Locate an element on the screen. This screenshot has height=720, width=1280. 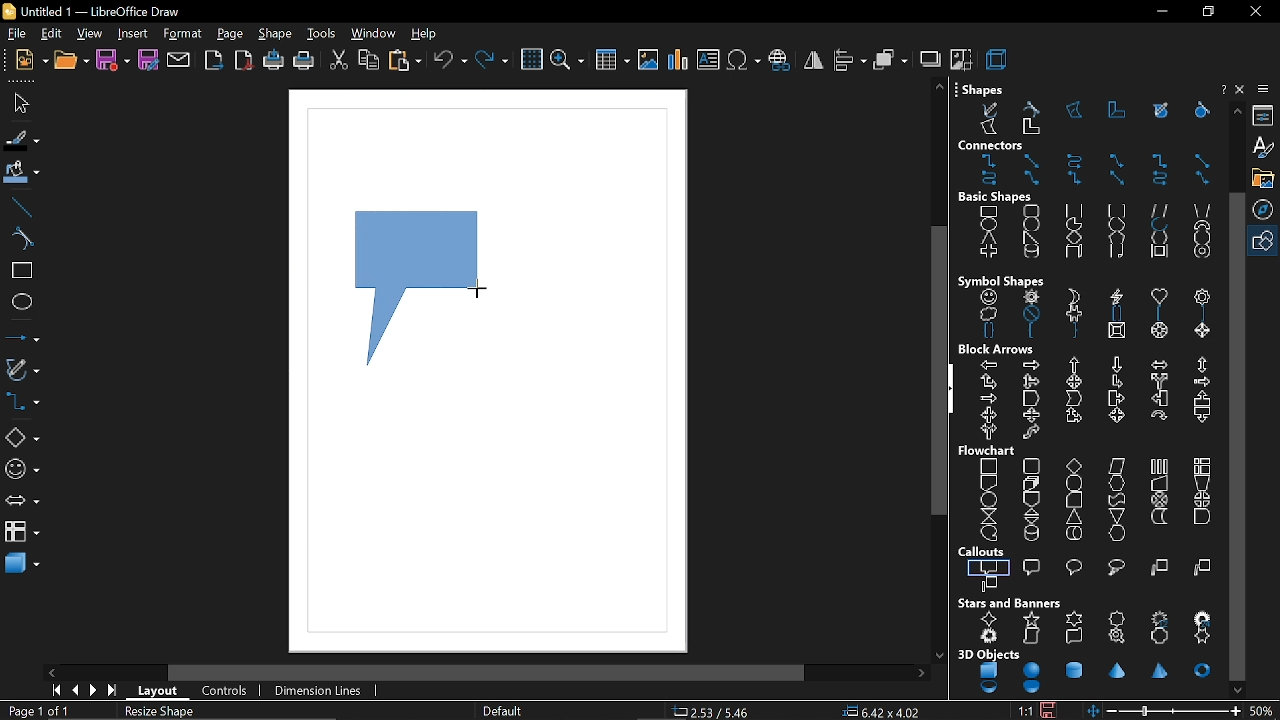
shape is located at coordinates (277, 35).